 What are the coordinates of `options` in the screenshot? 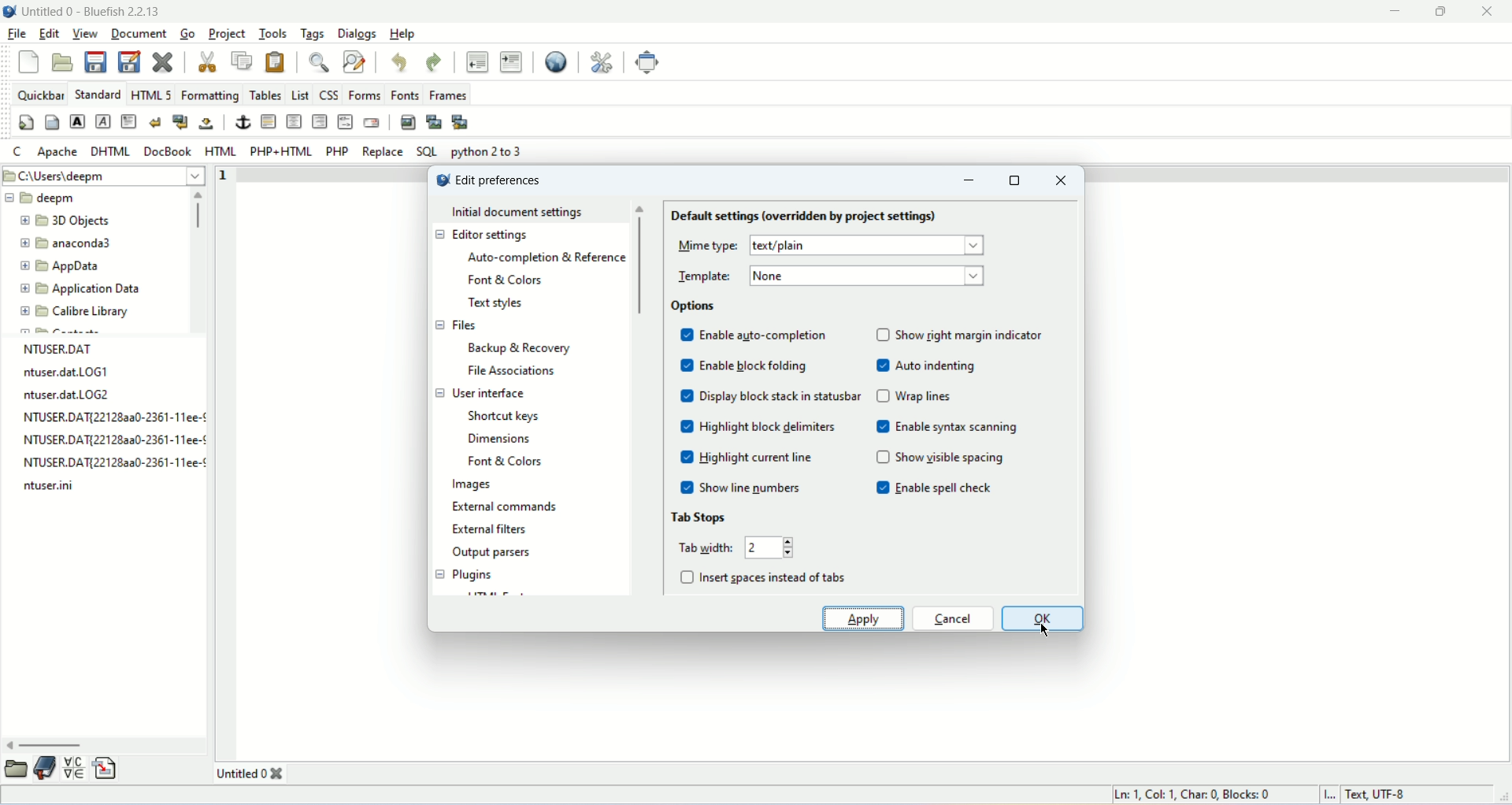 It's located at (697, 306).